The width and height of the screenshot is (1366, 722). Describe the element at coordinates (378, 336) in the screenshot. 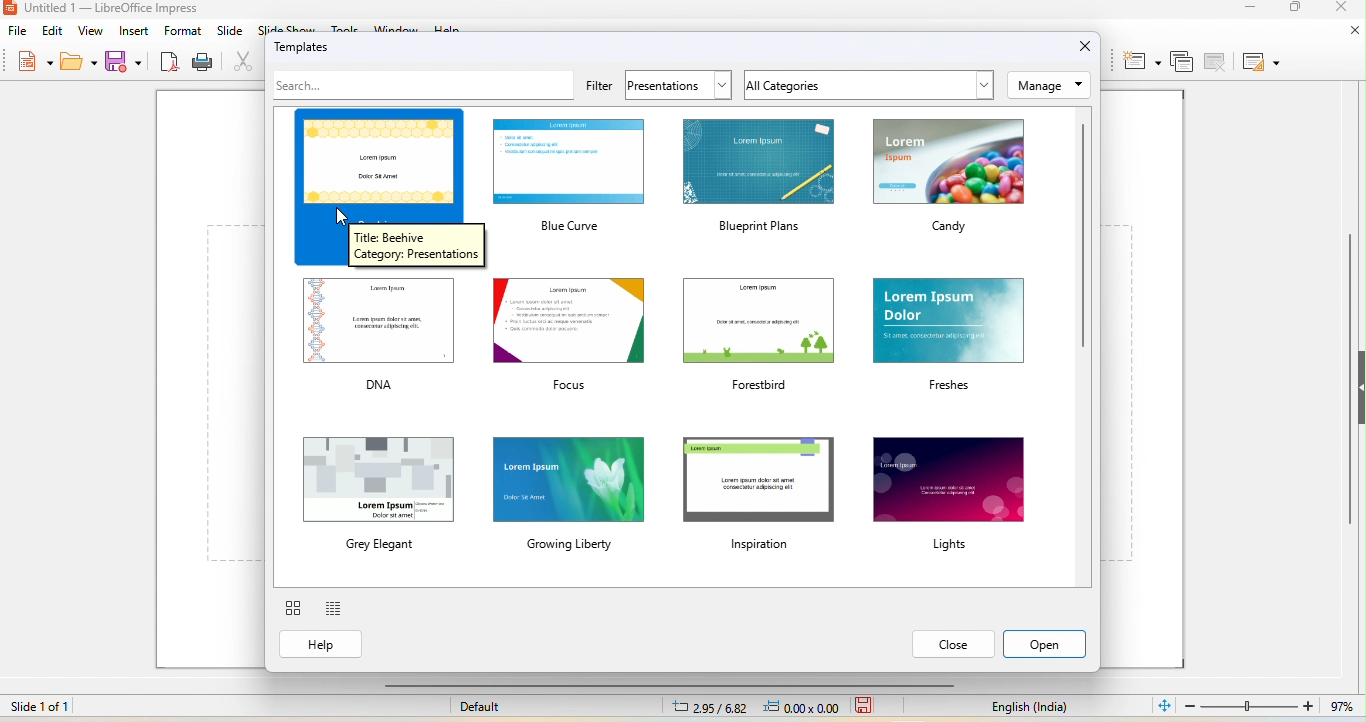

I see `DNA` at that location.